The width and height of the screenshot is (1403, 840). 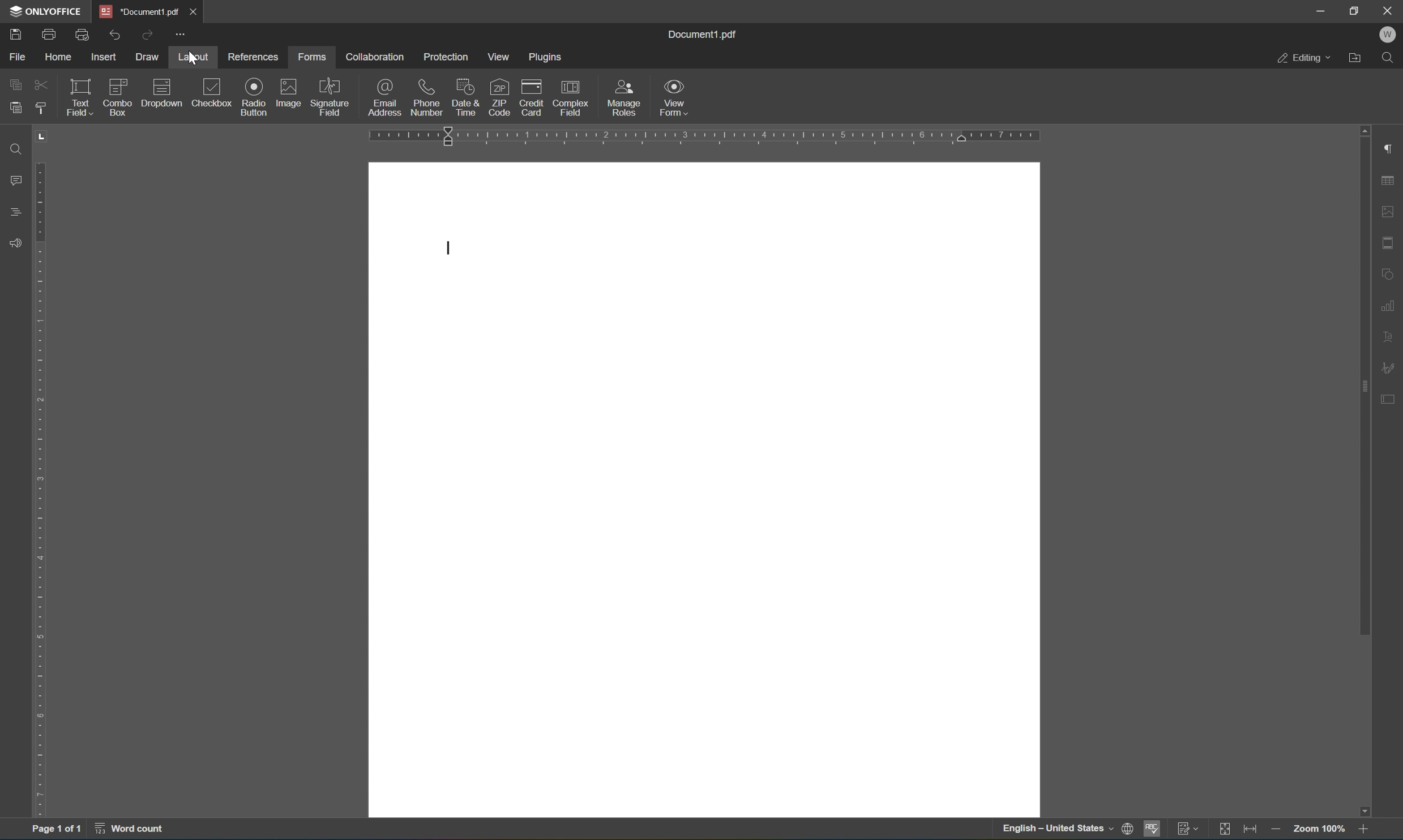 I want to click on table settings, so click(x=1389, y=181).